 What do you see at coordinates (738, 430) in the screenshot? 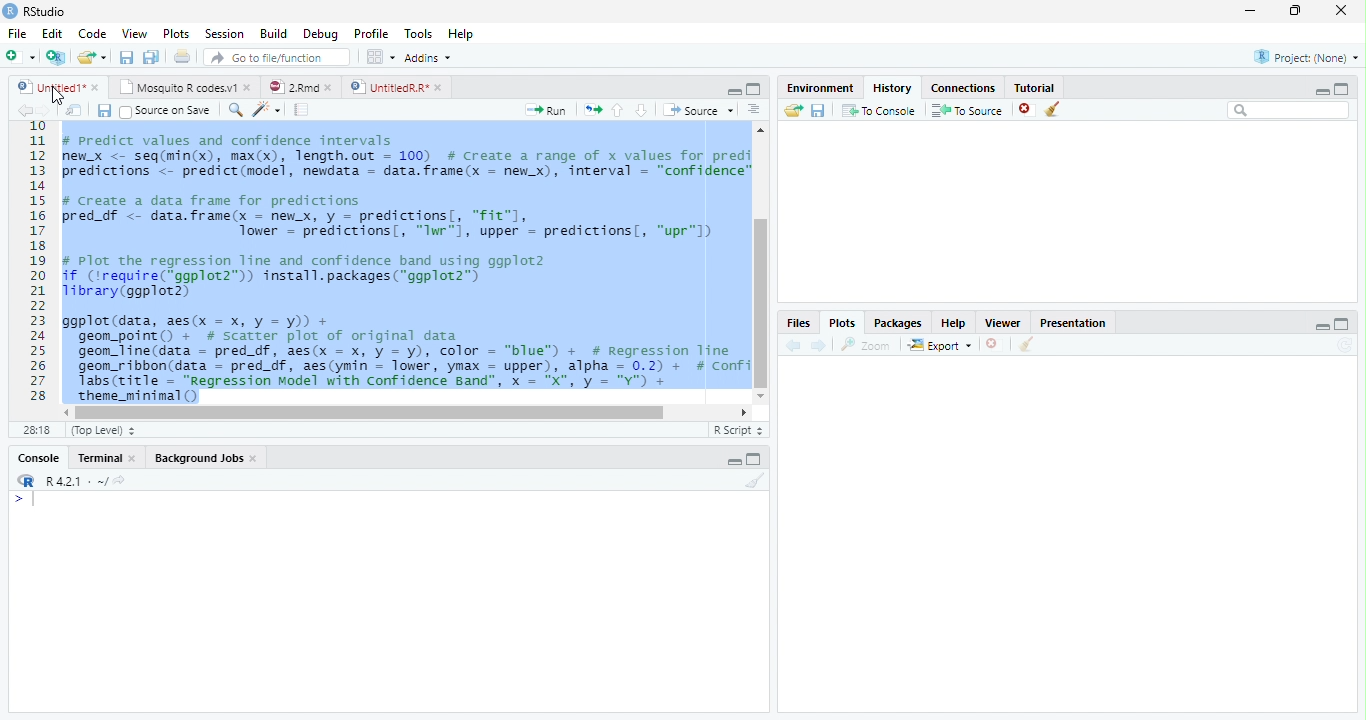
I see `R script` at bounding box center [738, 430].